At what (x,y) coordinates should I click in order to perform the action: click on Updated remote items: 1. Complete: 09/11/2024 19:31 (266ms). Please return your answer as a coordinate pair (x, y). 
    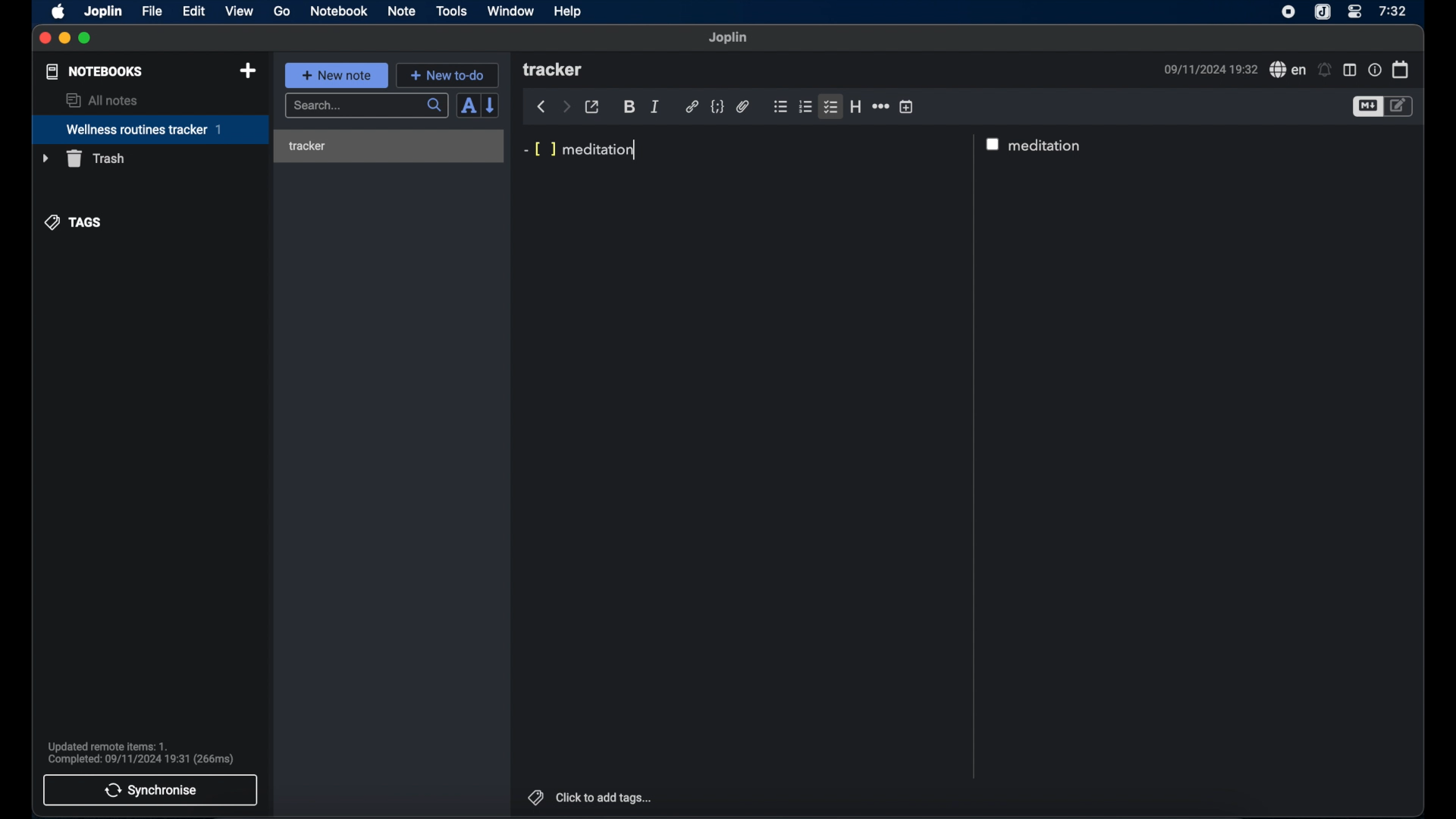
    Looking at the image, I should click on (147, 751).